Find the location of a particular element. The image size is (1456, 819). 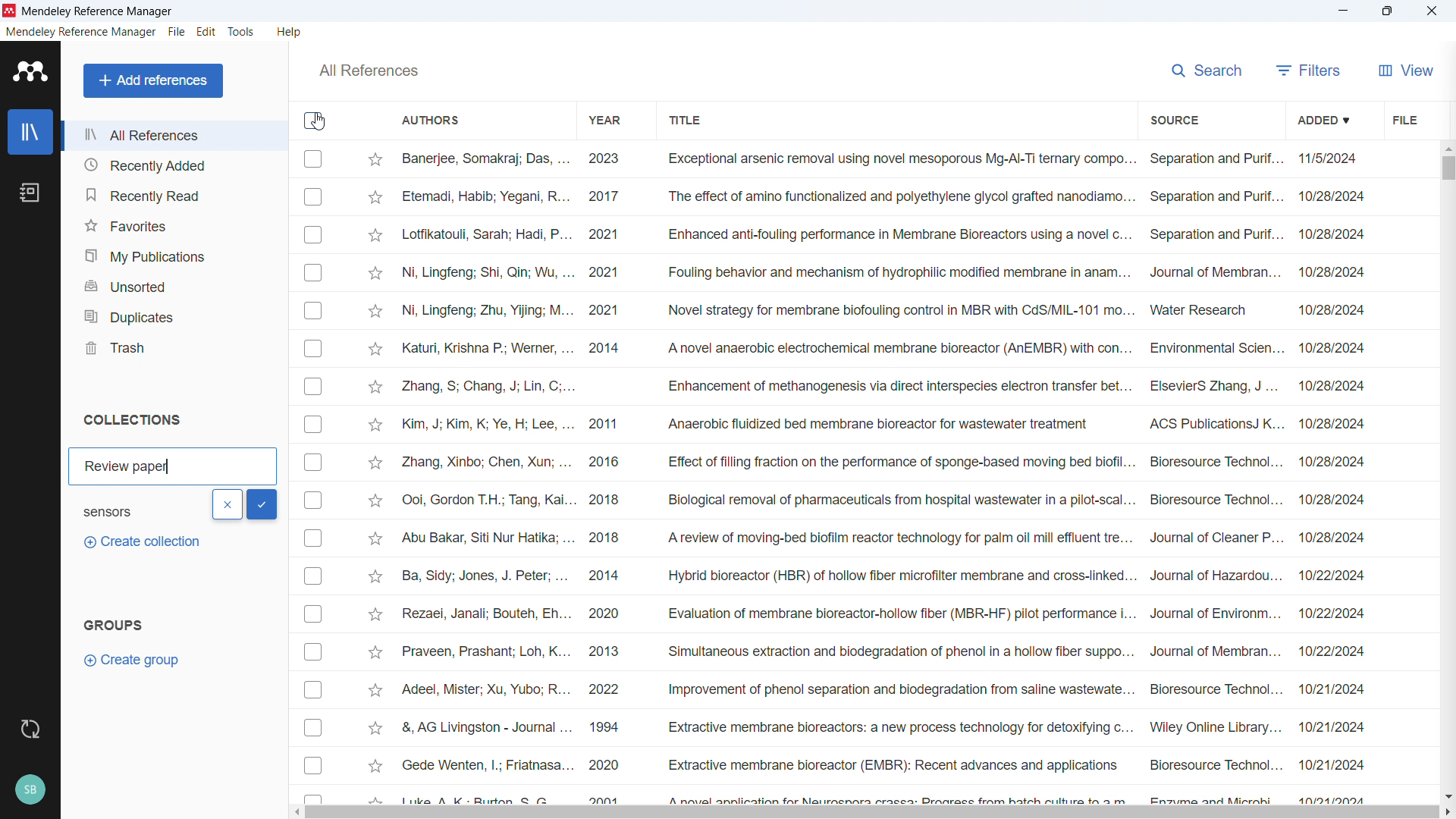

Star mark respective publication is located at coordinates (375, 728).